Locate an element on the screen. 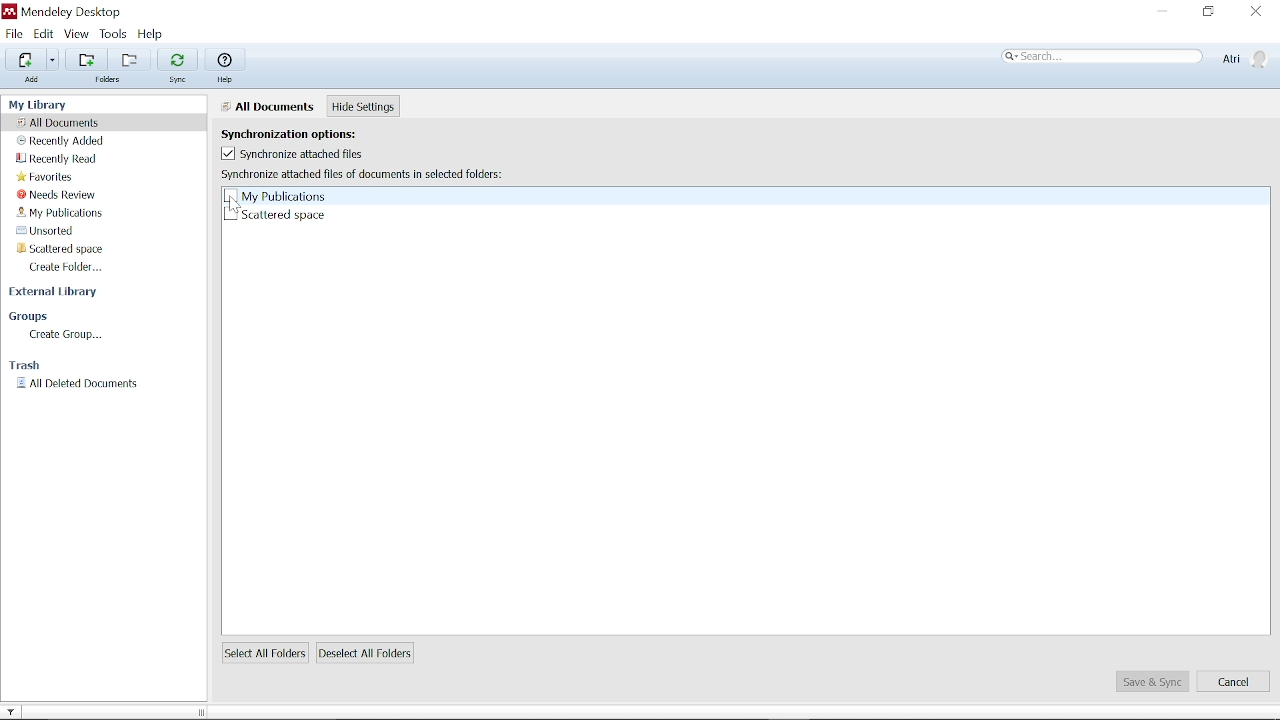 This screenshot has width=1280, height=720. Create Group is located at coordinates (64, 334).